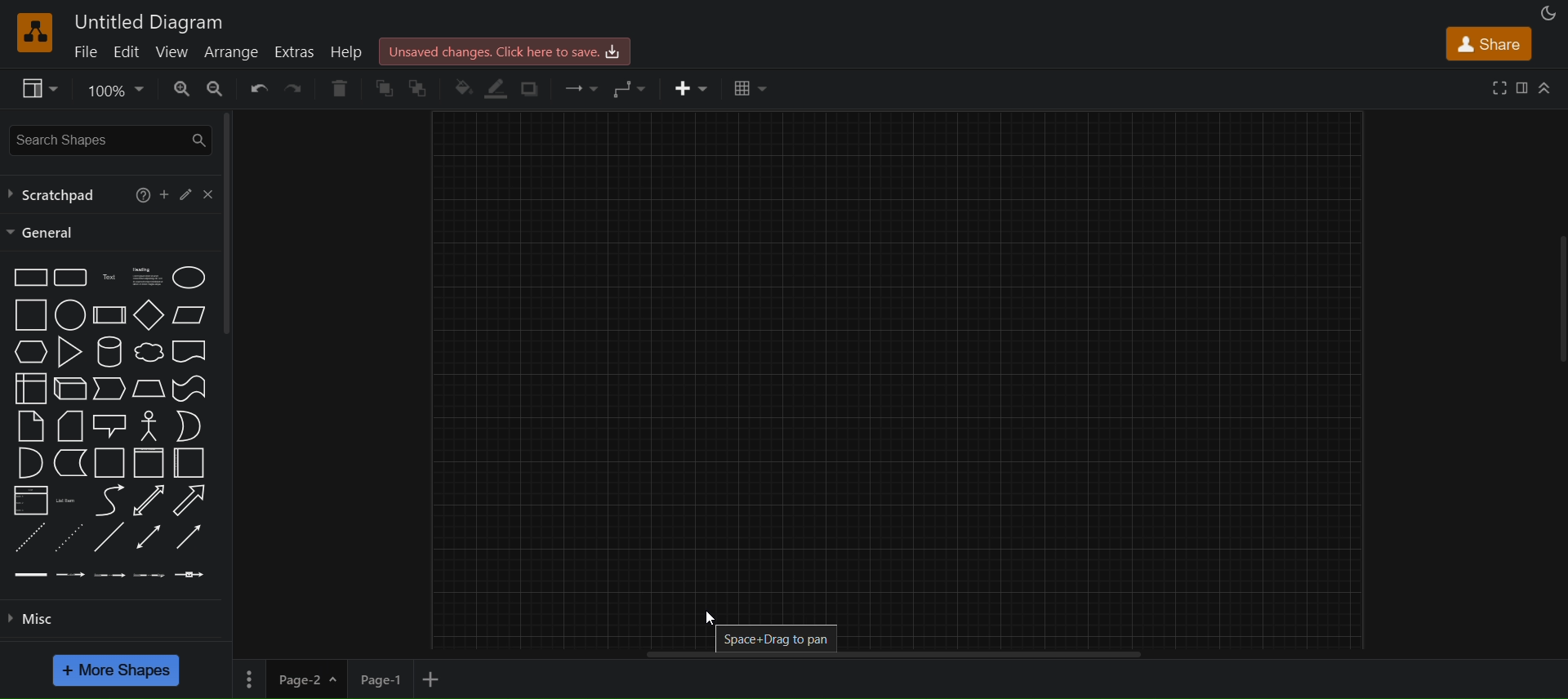 This screenshot has height=699, width=1568. What do you see at coordinates (385, 88) in the screenshot?
I see `to front` at bounding box center [385, 88].